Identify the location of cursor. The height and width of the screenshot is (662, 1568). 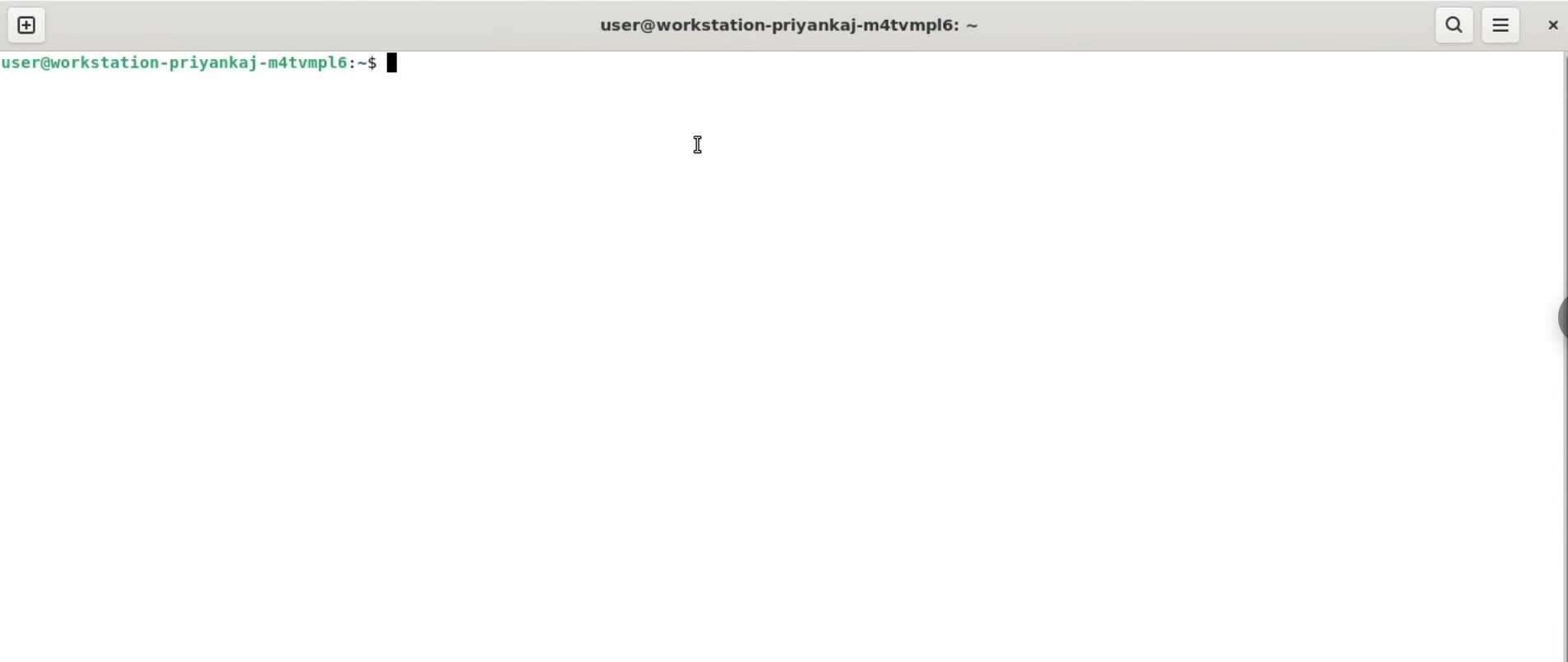
(694, 144).